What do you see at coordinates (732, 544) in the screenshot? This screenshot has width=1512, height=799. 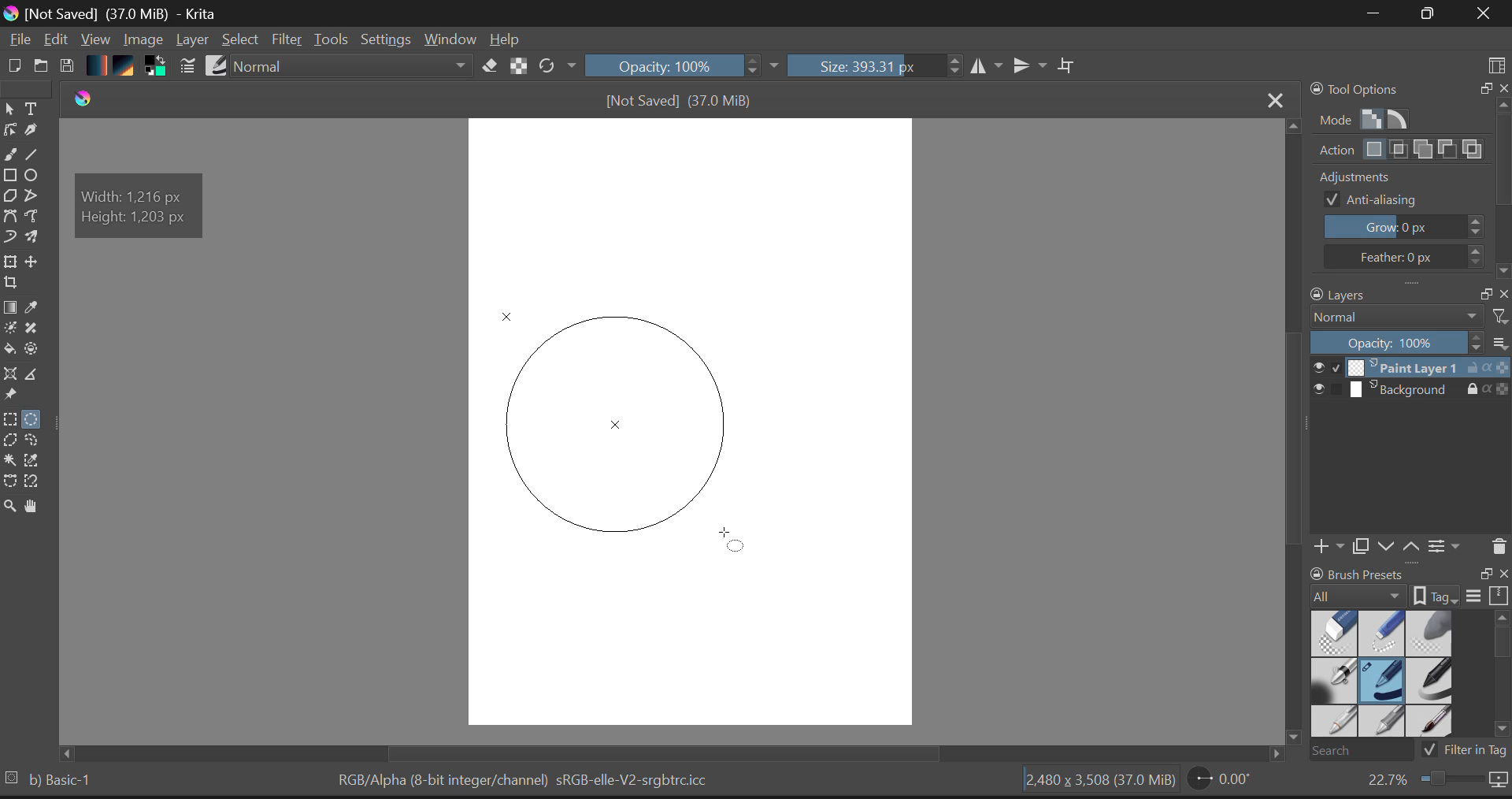 I see `DRAG_TO Cursor Position` at bounding box center [732, 544].